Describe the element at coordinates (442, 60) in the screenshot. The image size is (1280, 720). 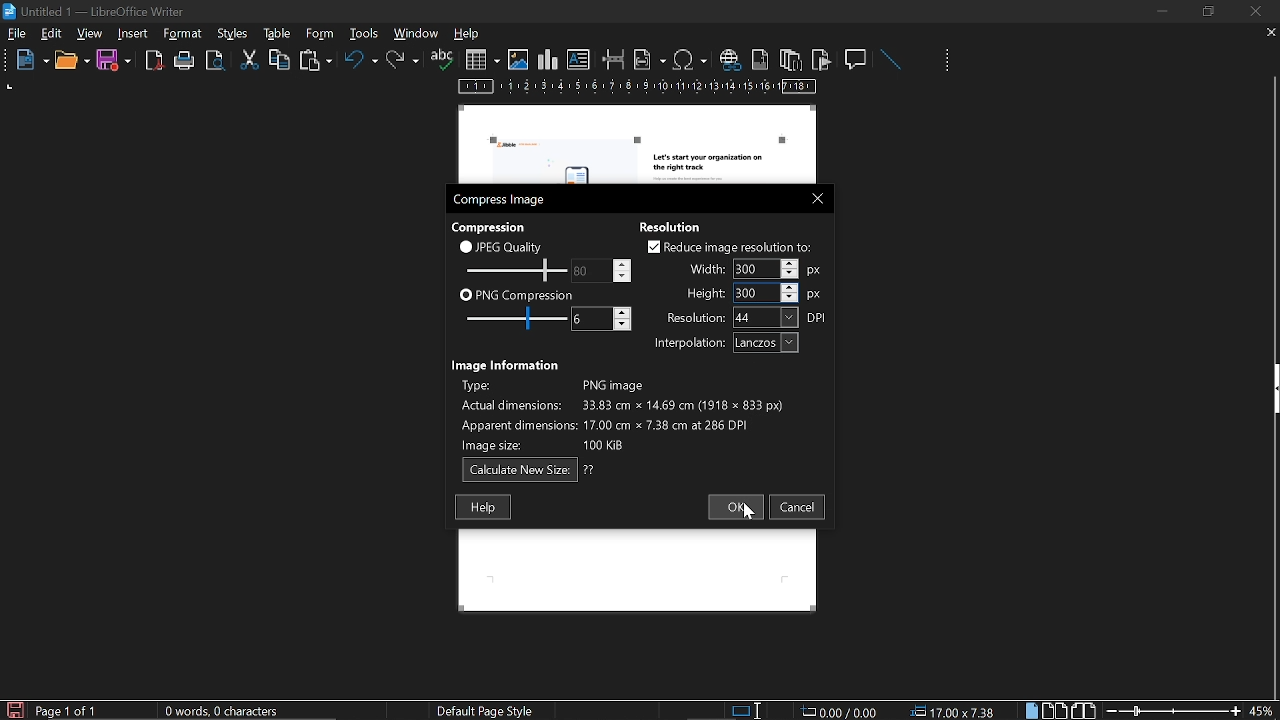
I see `spelling` at that location.